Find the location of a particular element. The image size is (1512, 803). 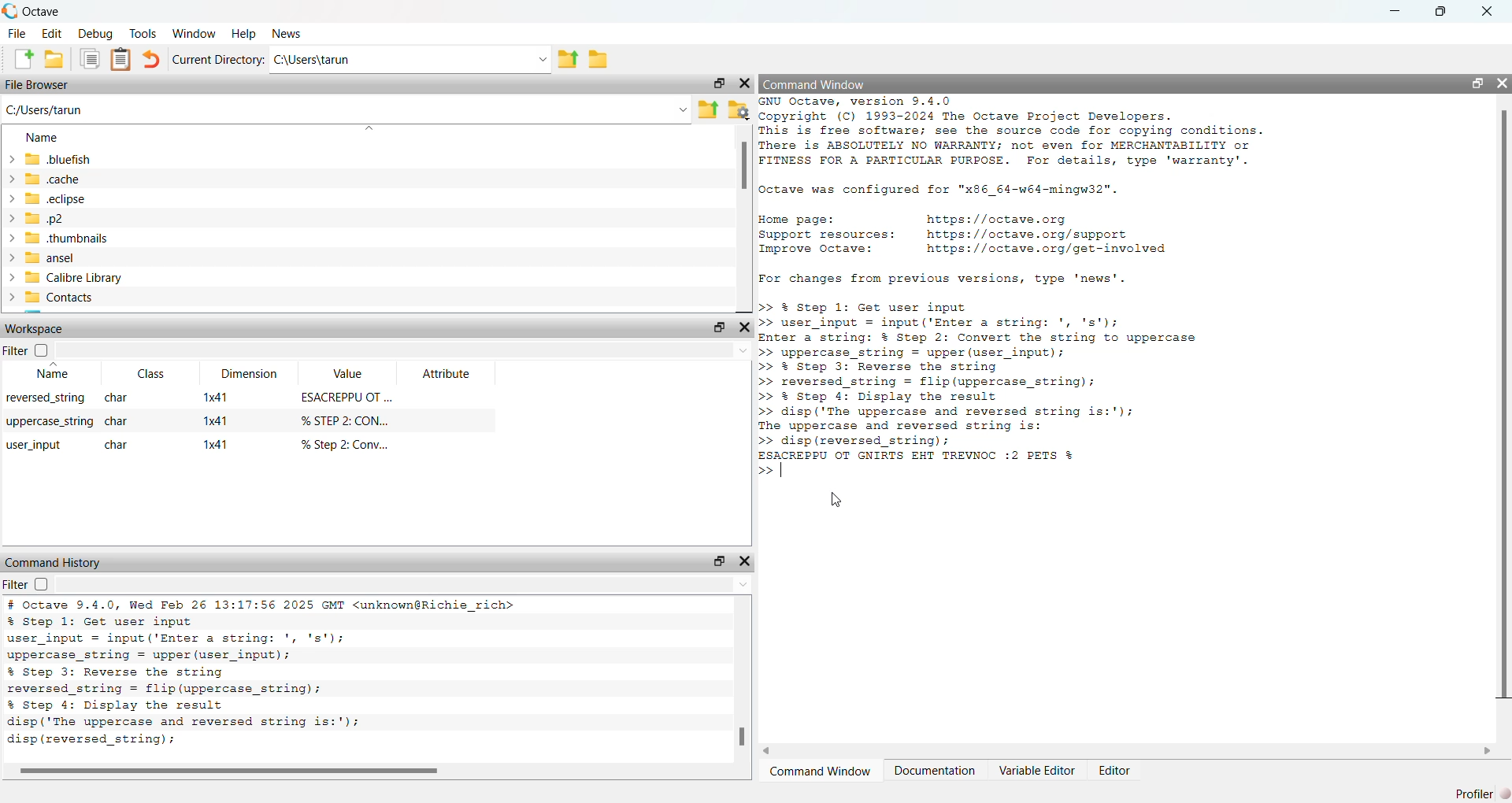

variable editor is located at coordinates (1036, 770).